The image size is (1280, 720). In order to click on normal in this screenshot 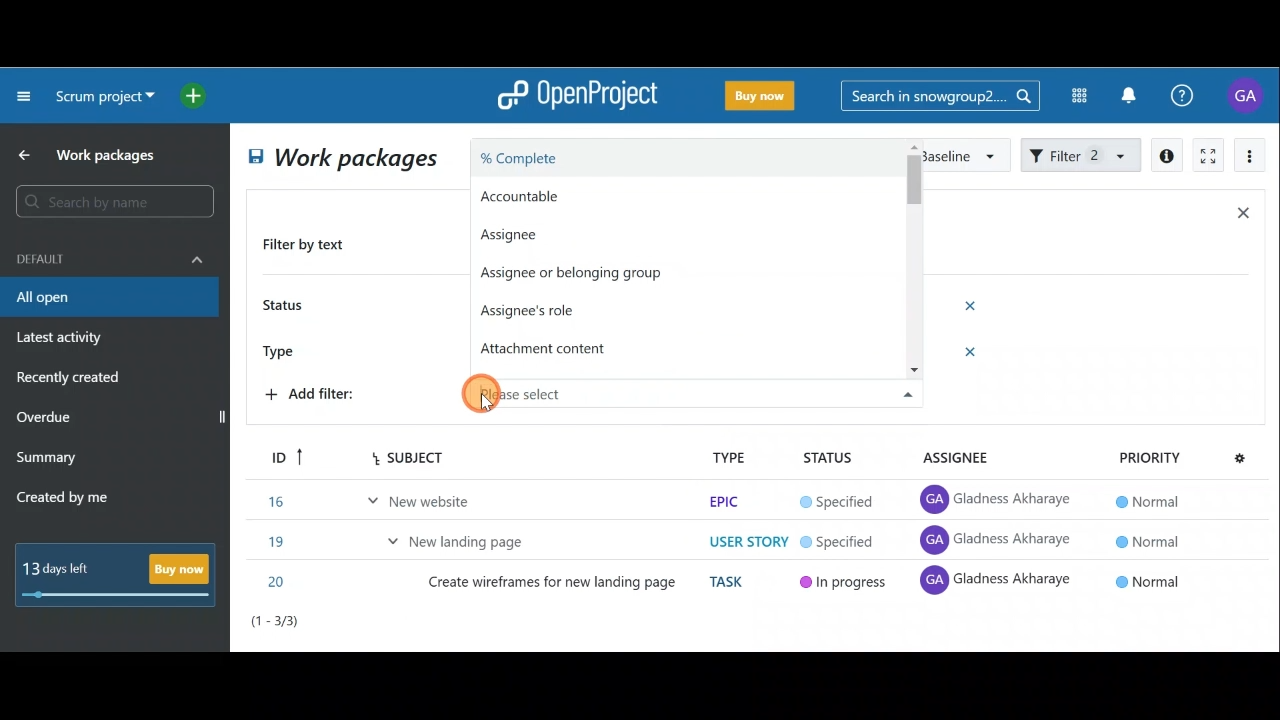, I will do `click(1145, 501)`.